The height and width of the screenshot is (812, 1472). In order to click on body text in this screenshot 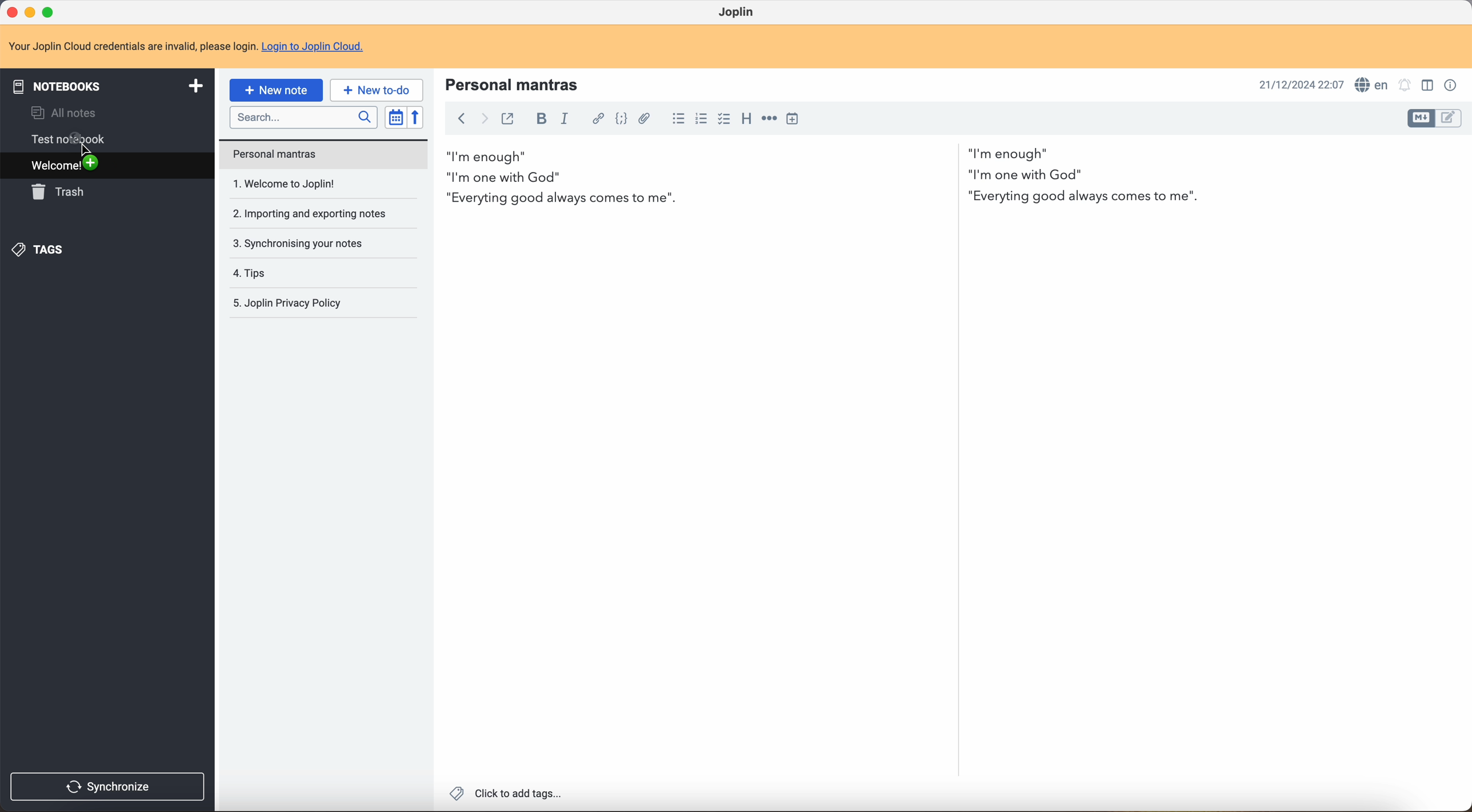, I will do `click(828, 177)`.